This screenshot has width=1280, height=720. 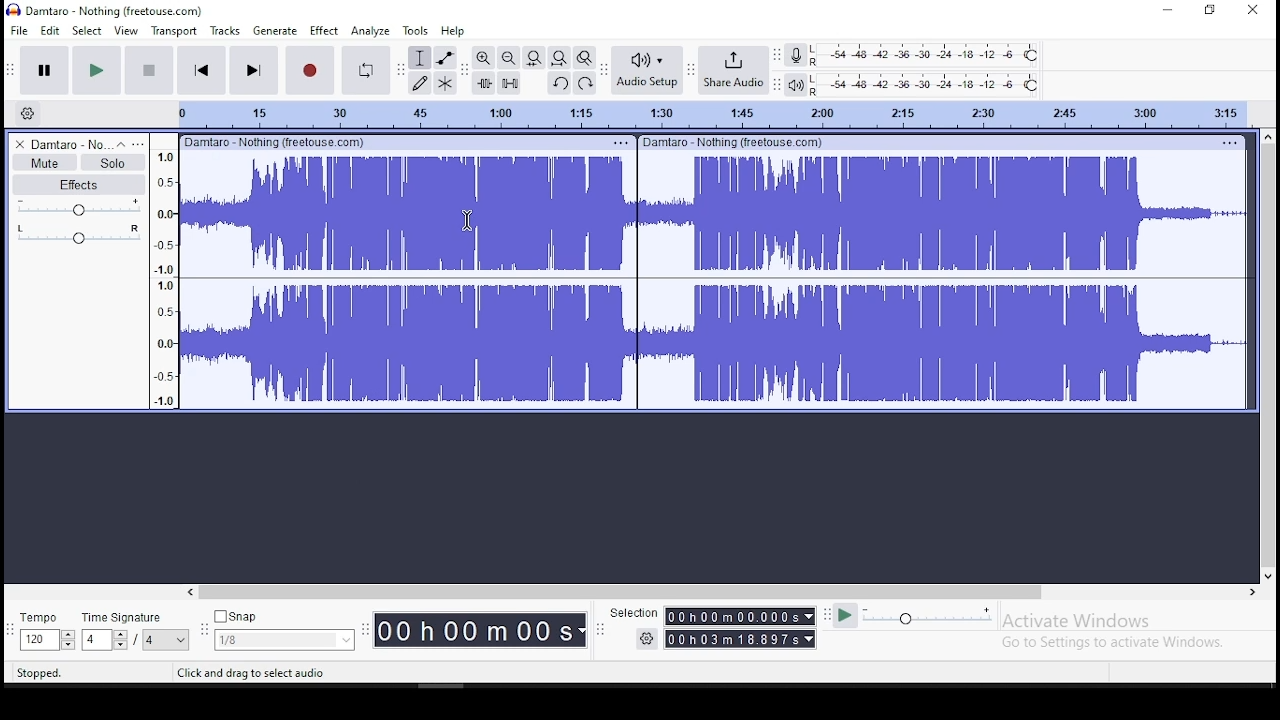 I want to click on meter, so click(x=163, y=277).